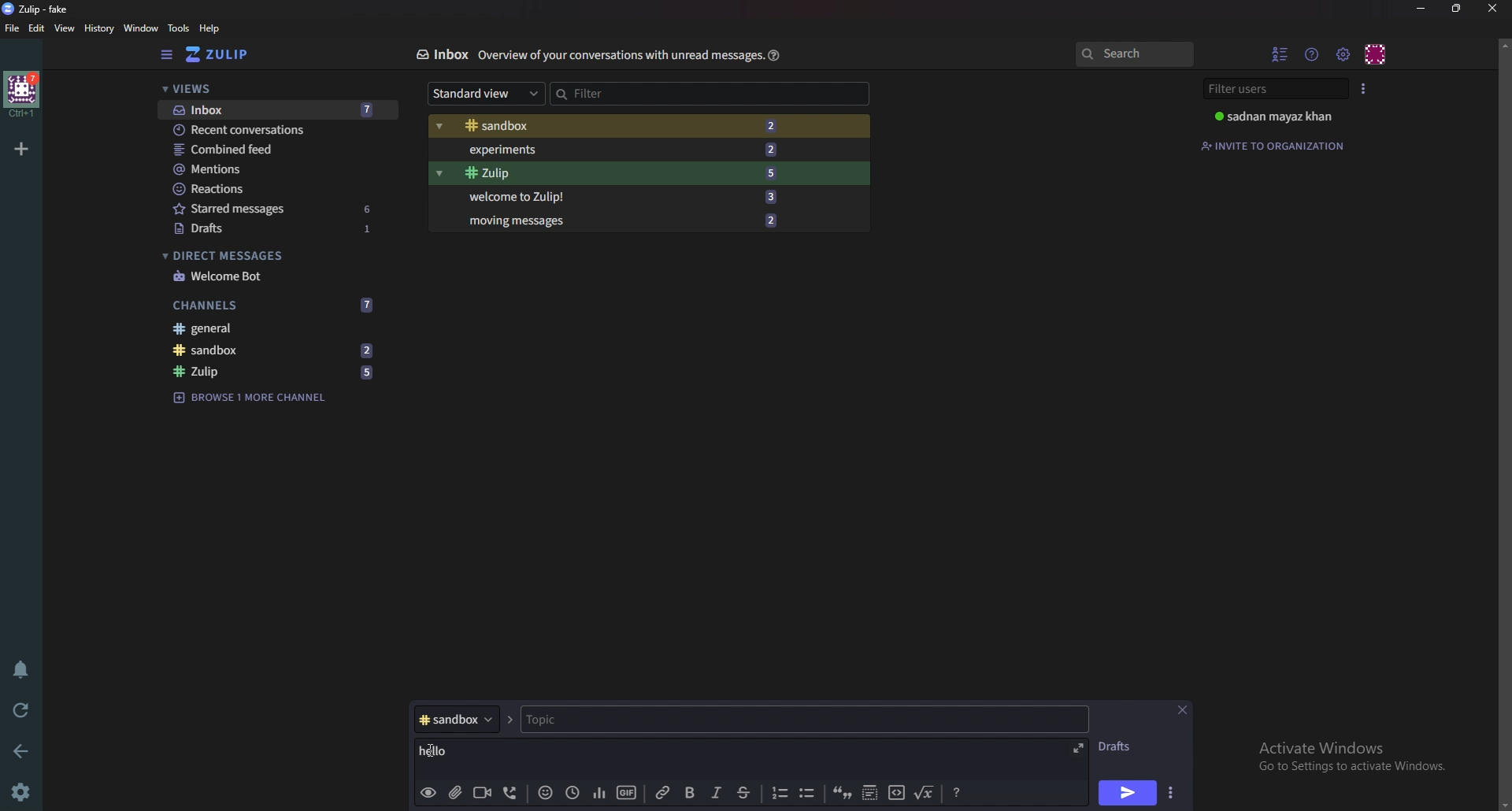 This screenshot has width=1512, height=811. Describe the element at coordinates (776, 148) in the screenshot. I see `2` at that location.